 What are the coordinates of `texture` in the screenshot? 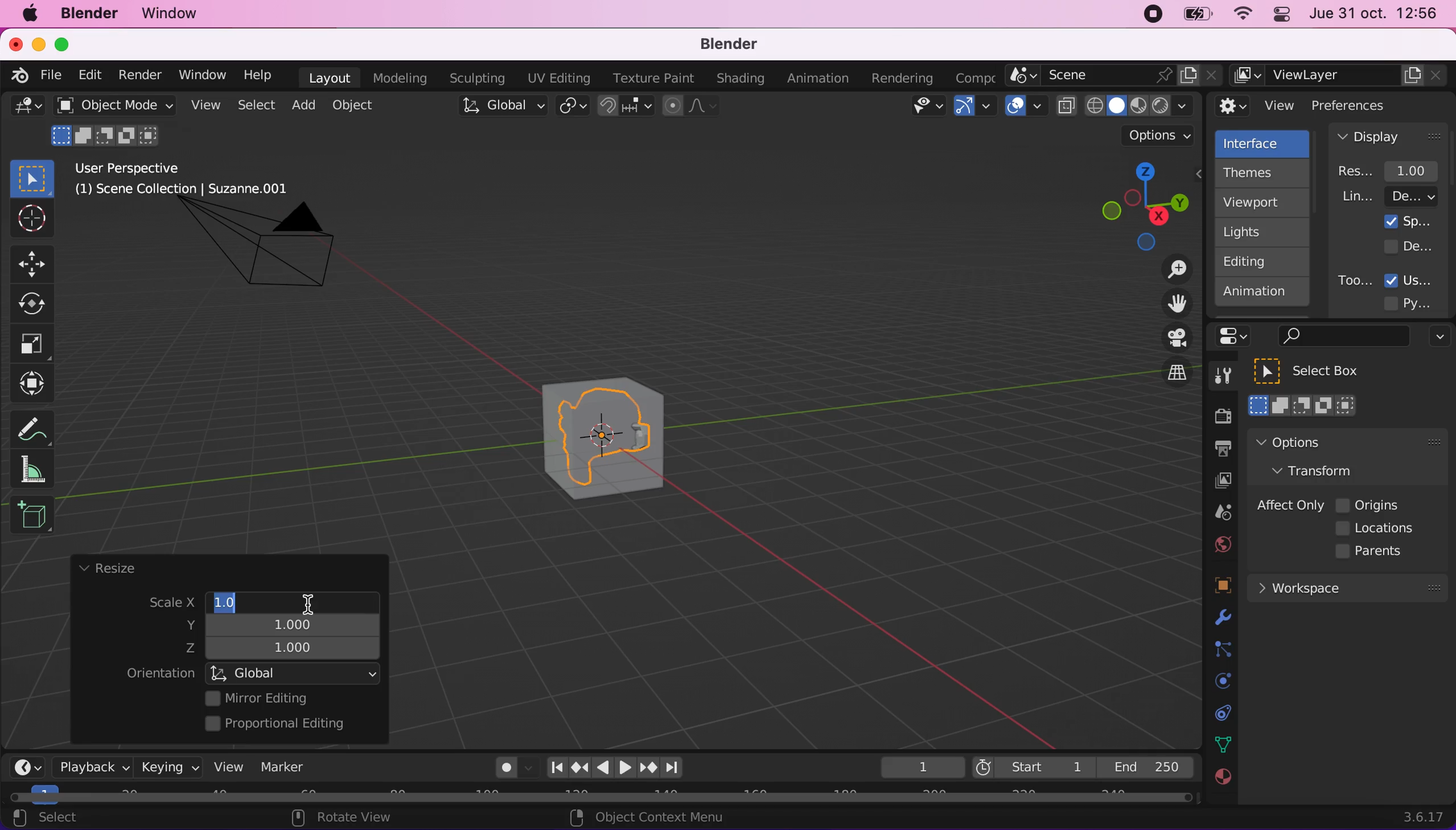 It's located at (1221, 783).